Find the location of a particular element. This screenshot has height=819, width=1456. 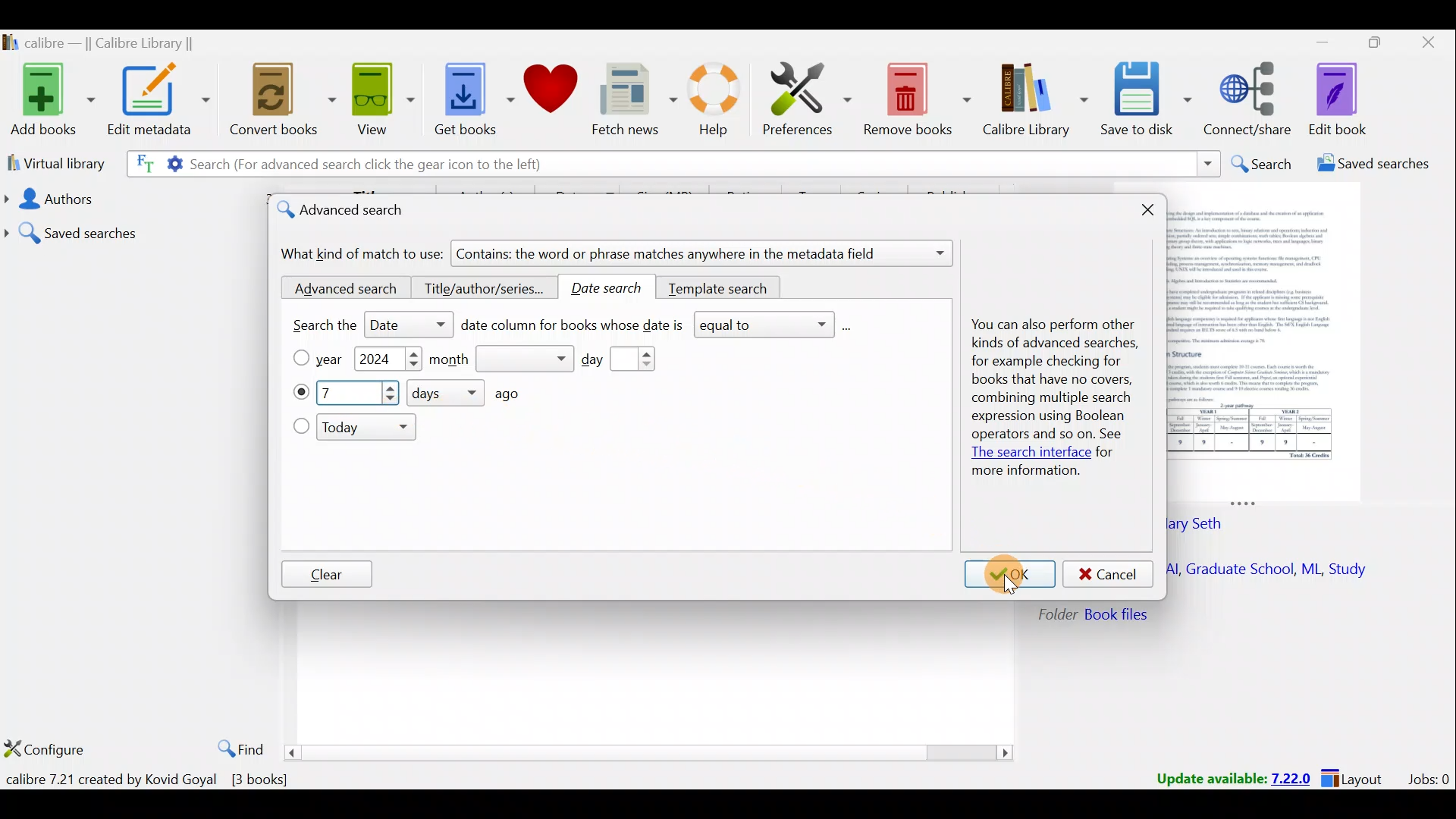

Decrease is located at coordinates (413, 367).